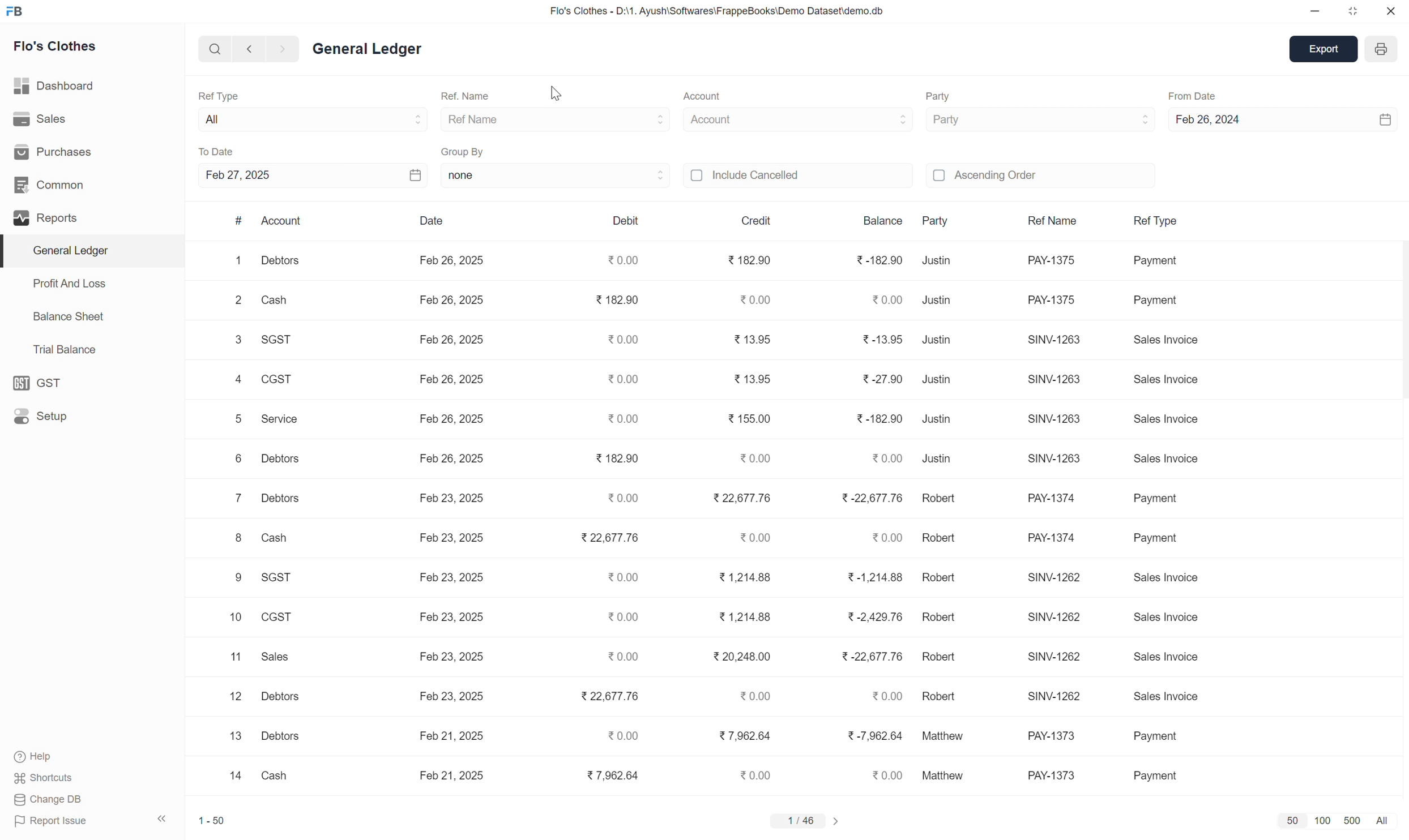 The image size is (1409, 840). What do you see at coordinates (754, 260) in the screenshot?
I see `182.90` at bounding box center [754, 260].